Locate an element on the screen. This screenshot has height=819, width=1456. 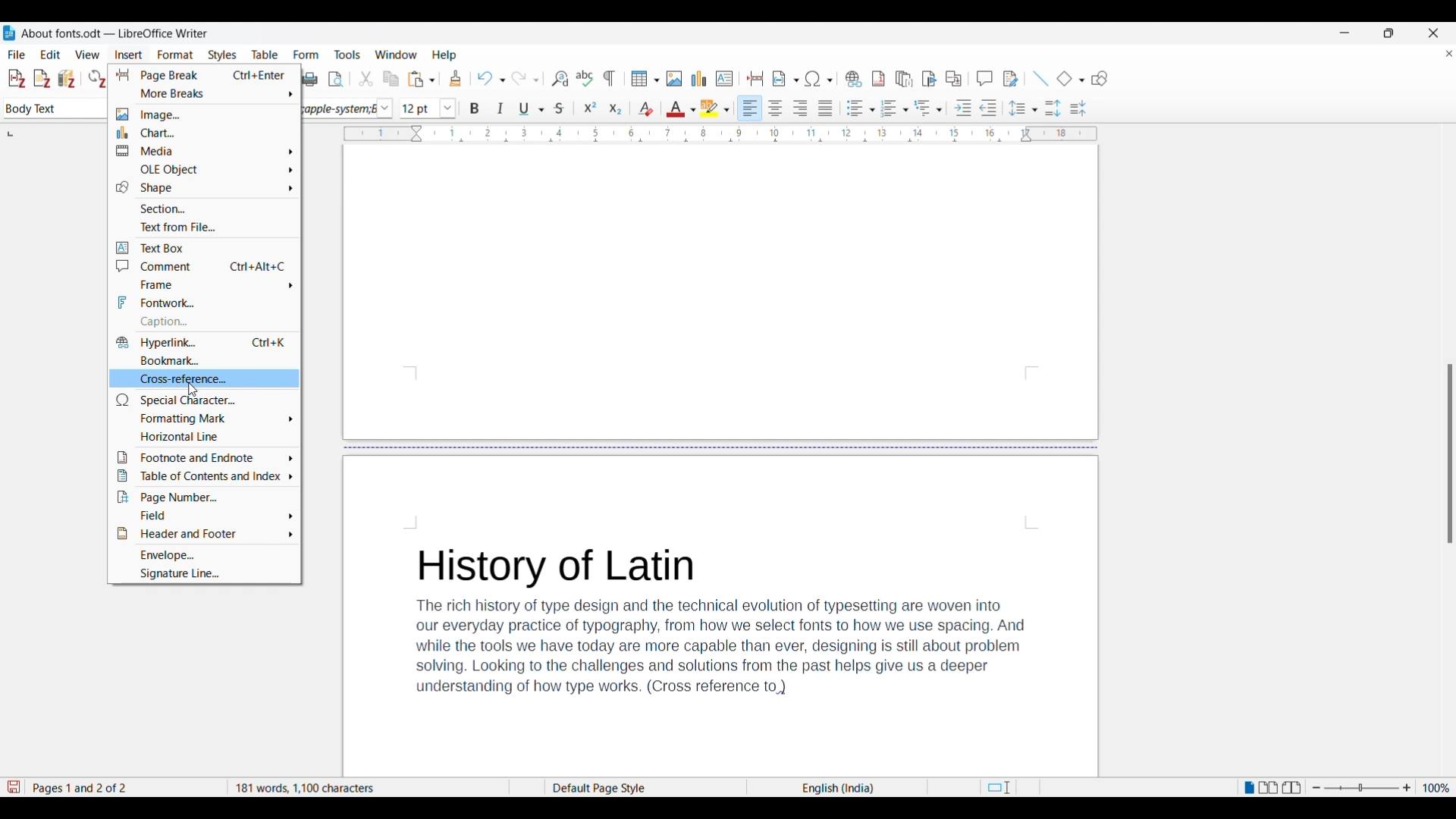
Insert hyperlink is located at coordinates (853, 79).